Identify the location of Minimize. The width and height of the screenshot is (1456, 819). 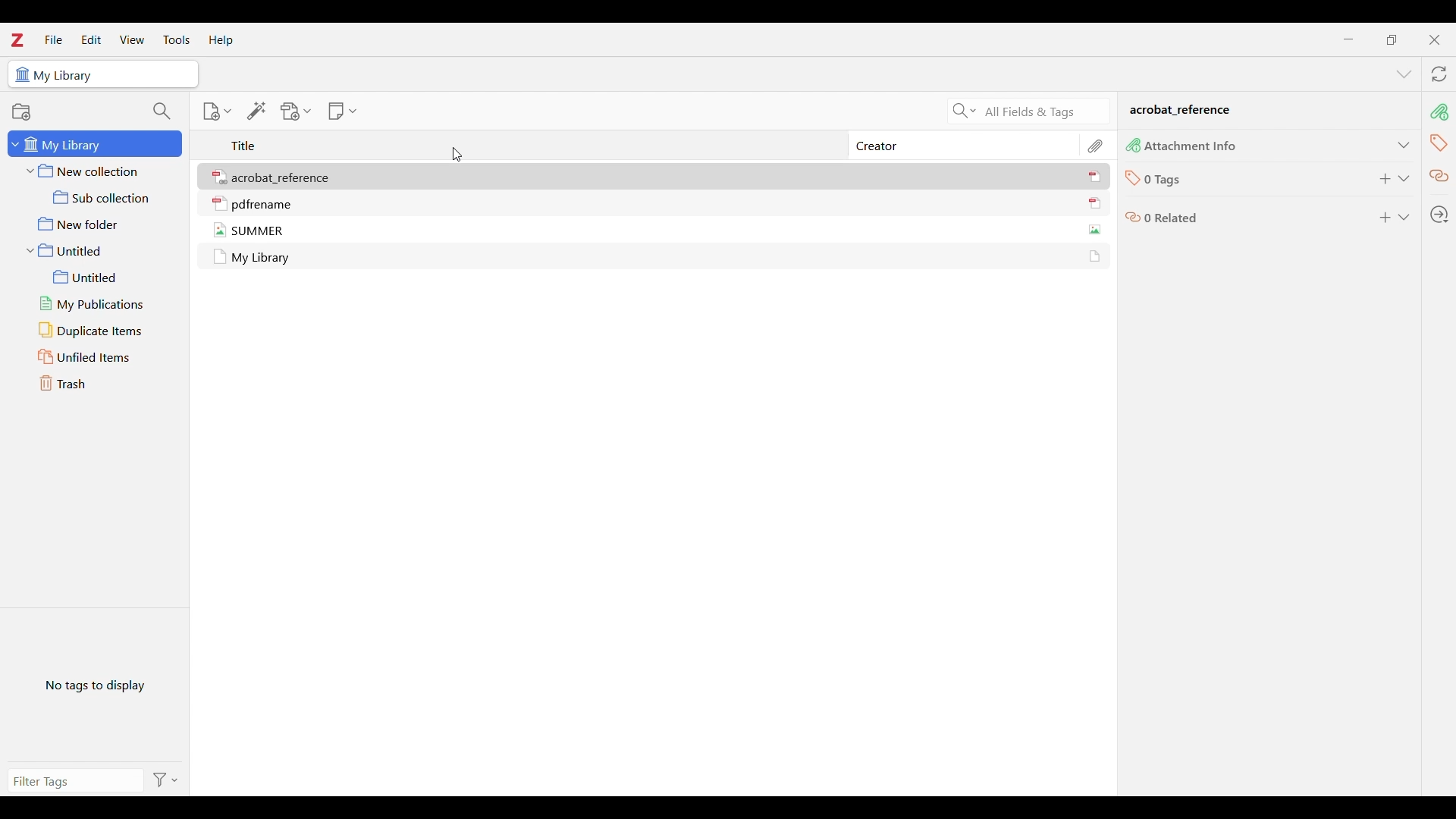
(1348, 39).